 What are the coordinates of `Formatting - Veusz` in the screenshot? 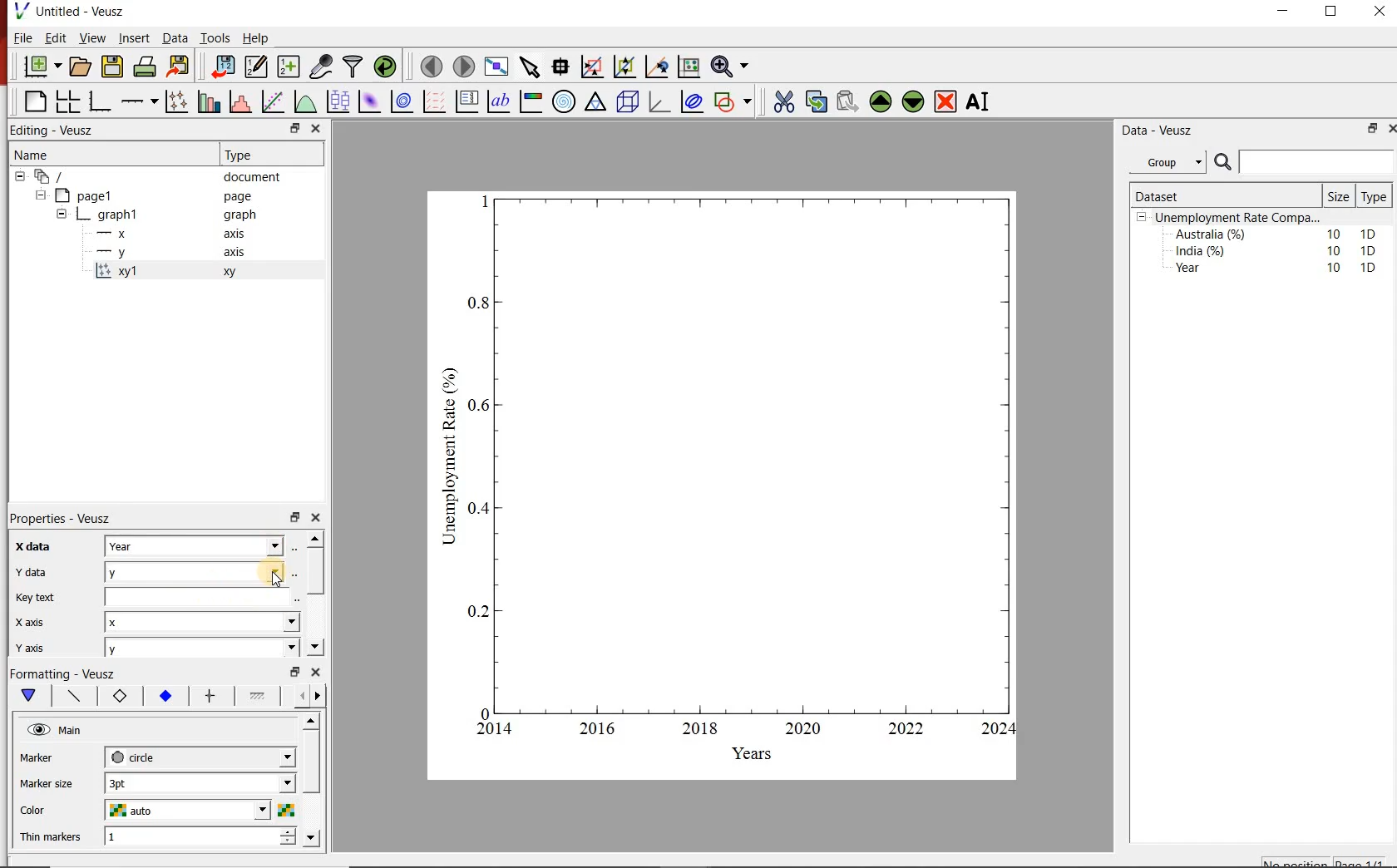 It's located at (62, 672).